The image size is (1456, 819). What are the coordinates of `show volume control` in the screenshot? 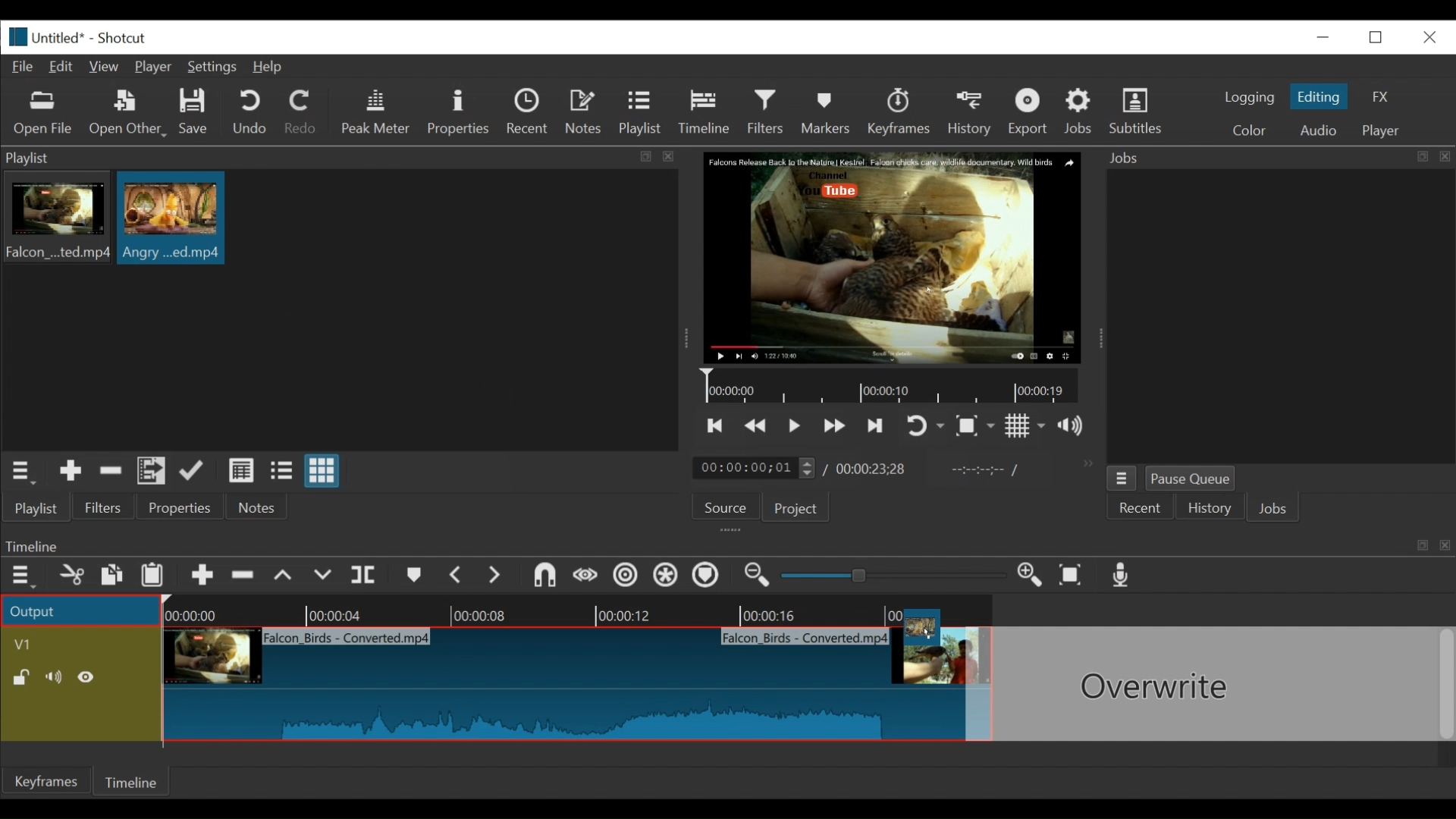 It's located at (1077, 427).